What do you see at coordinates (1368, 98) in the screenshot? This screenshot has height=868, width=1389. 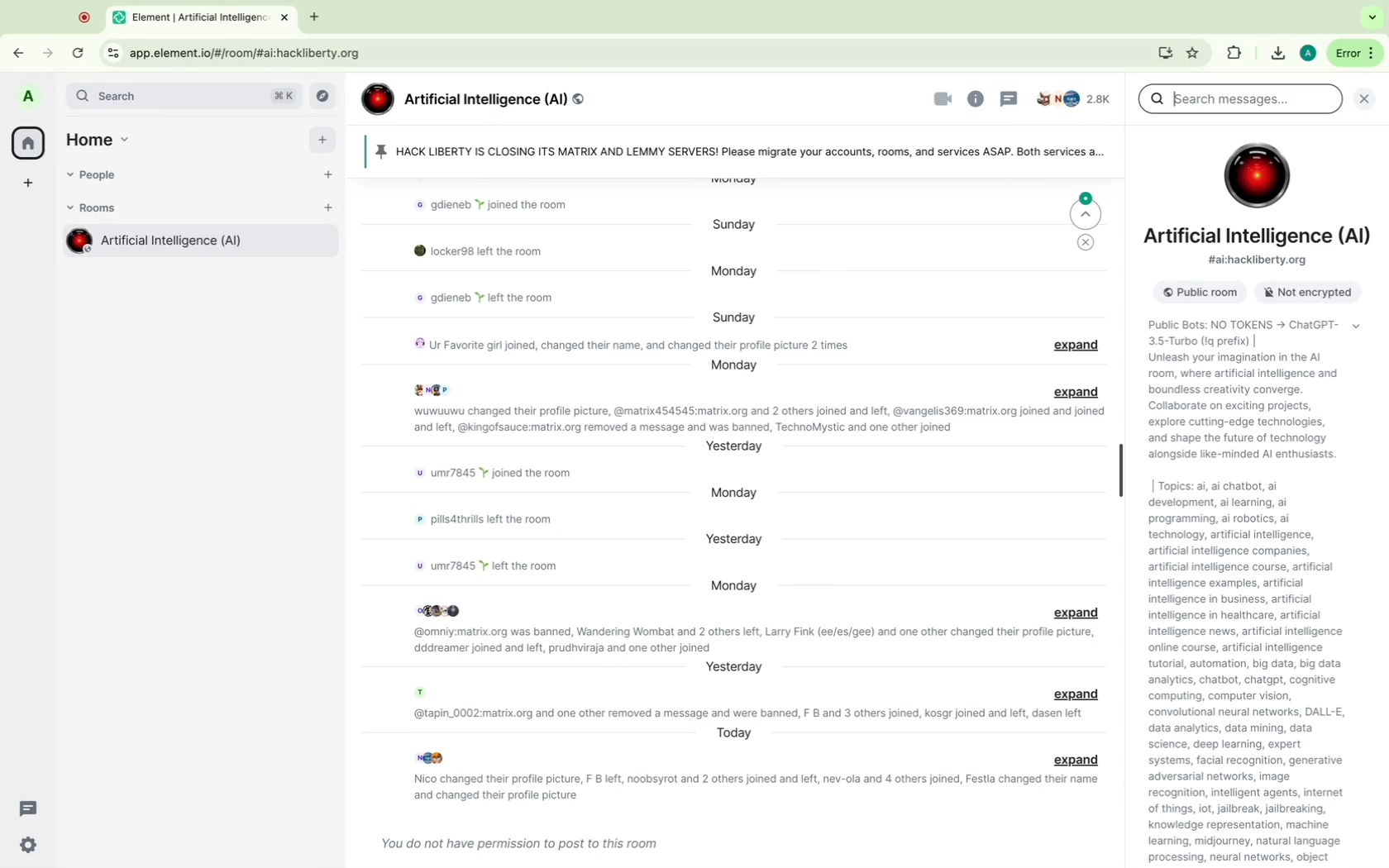 I see `close` at bounding box center [1368, 98].